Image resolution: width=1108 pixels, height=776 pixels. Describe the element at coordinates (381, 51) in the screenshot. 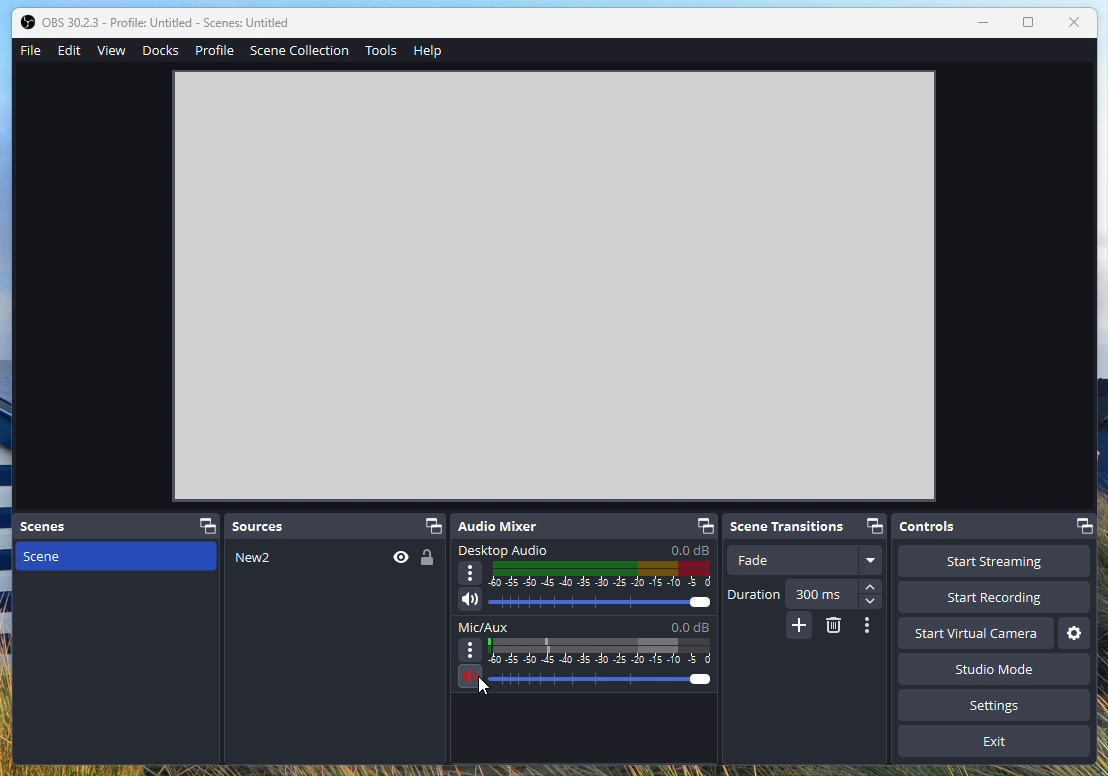

I see `Tools` at that location.